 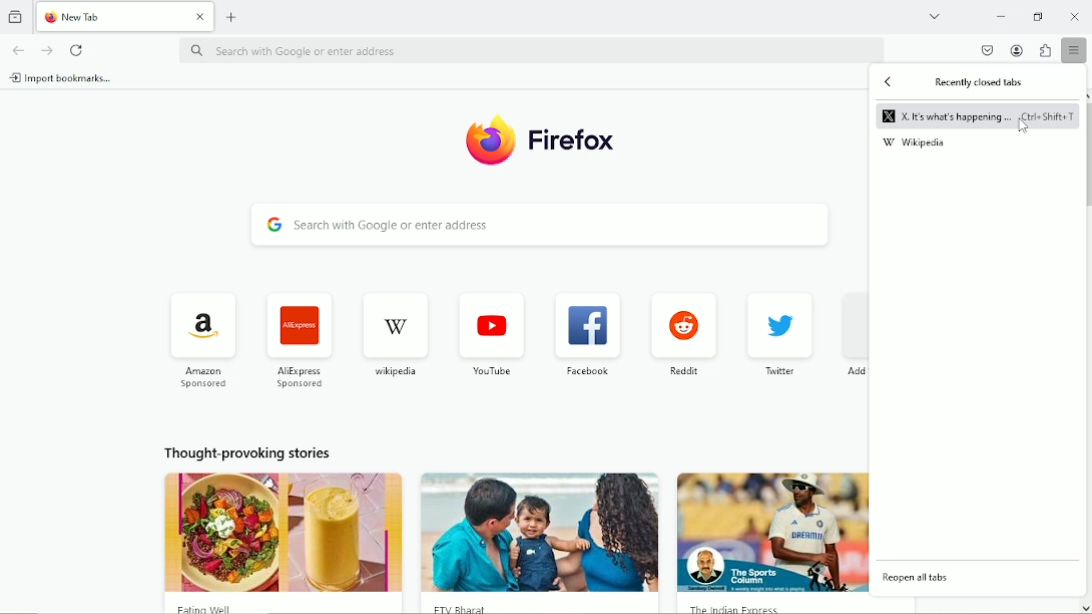 What do you see at coordinates (200, 17) in the screenshot?
I see `Close` at bounding box center [200, 17].